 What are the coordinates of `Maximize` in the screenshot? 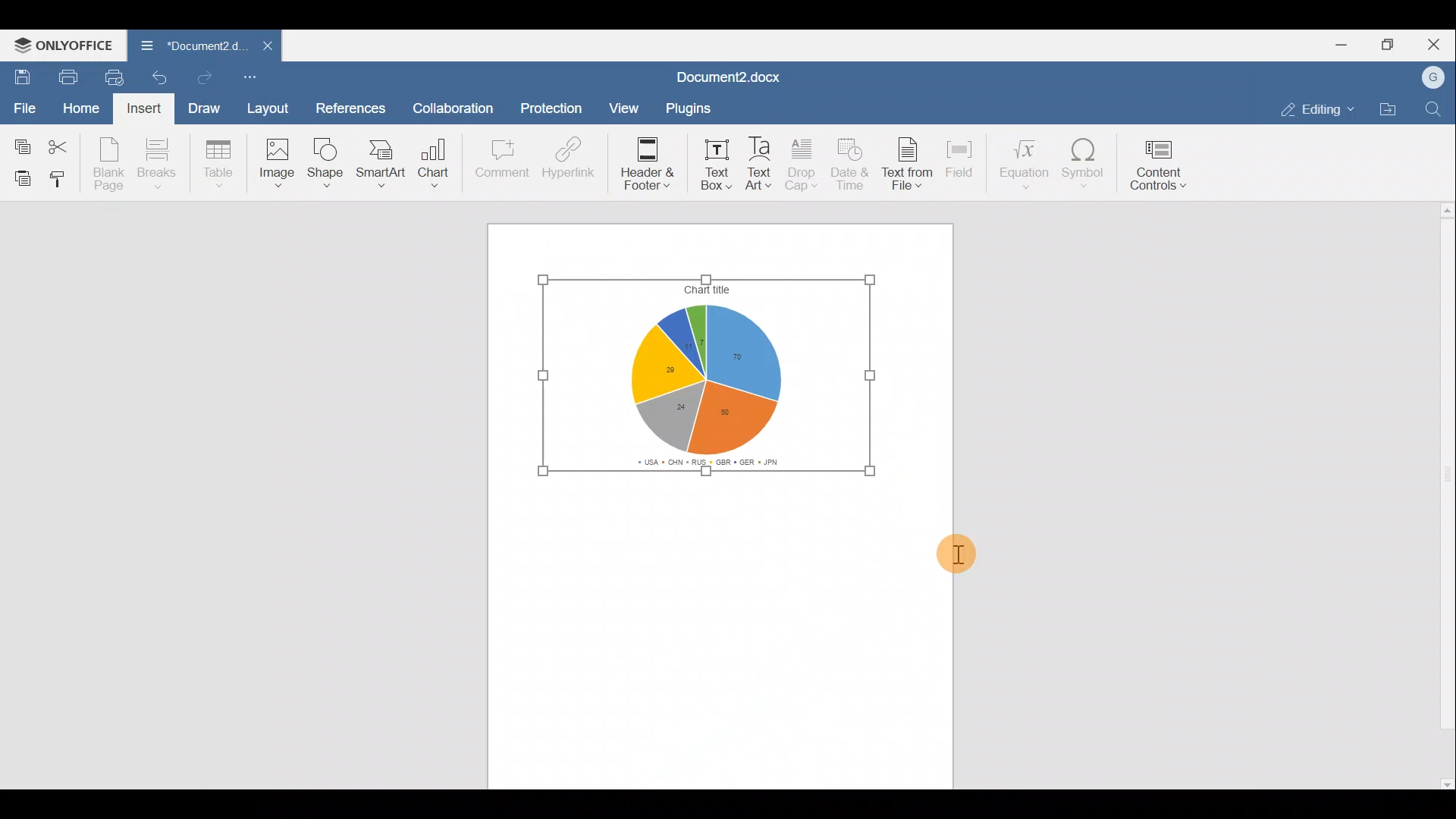 It's located at (1394, 43).